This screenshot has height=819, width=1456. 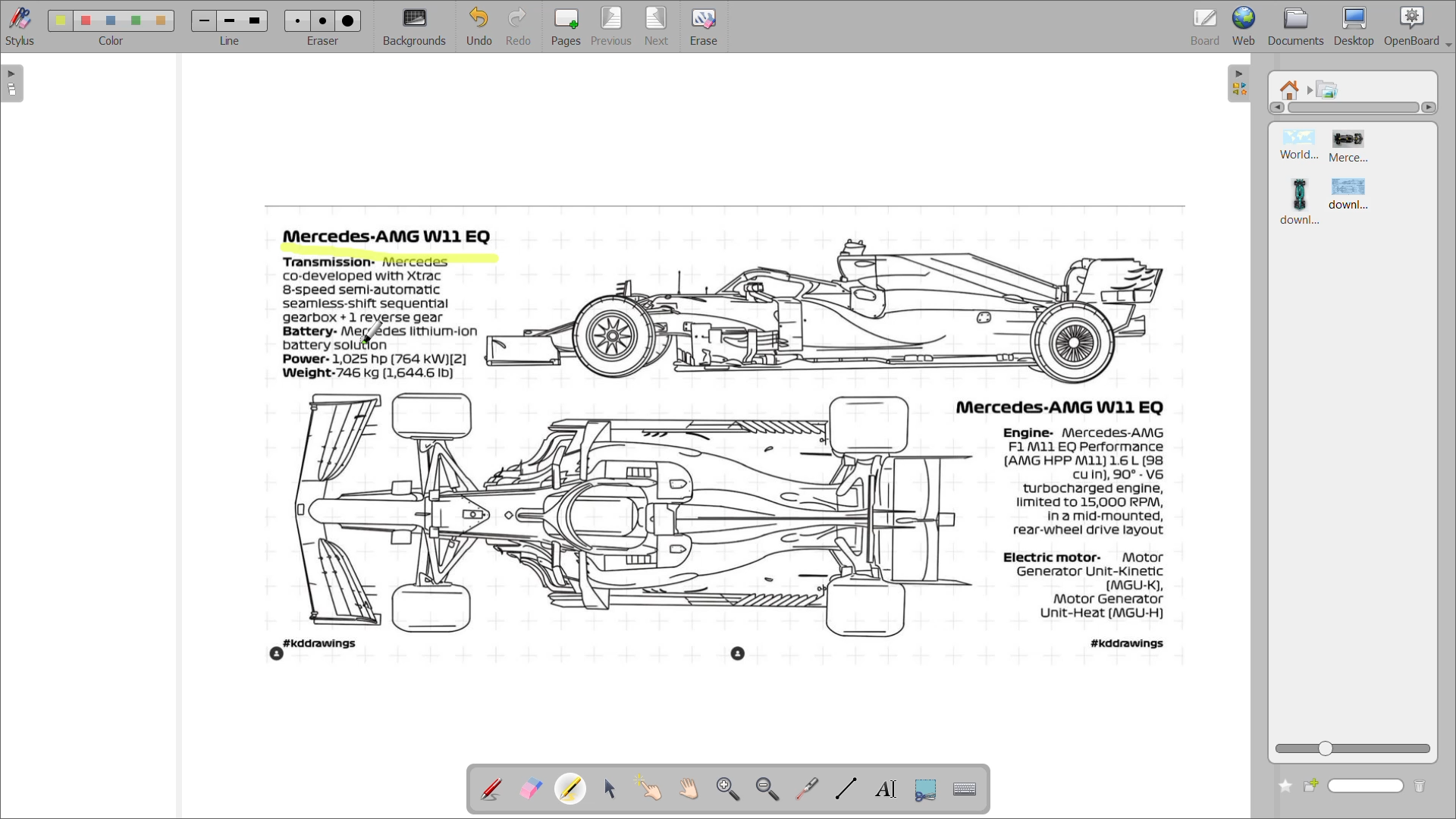 What do you see at coordinates (203, 20) in the screenshot?
I see `line 1` at bounding box center [203, 20].